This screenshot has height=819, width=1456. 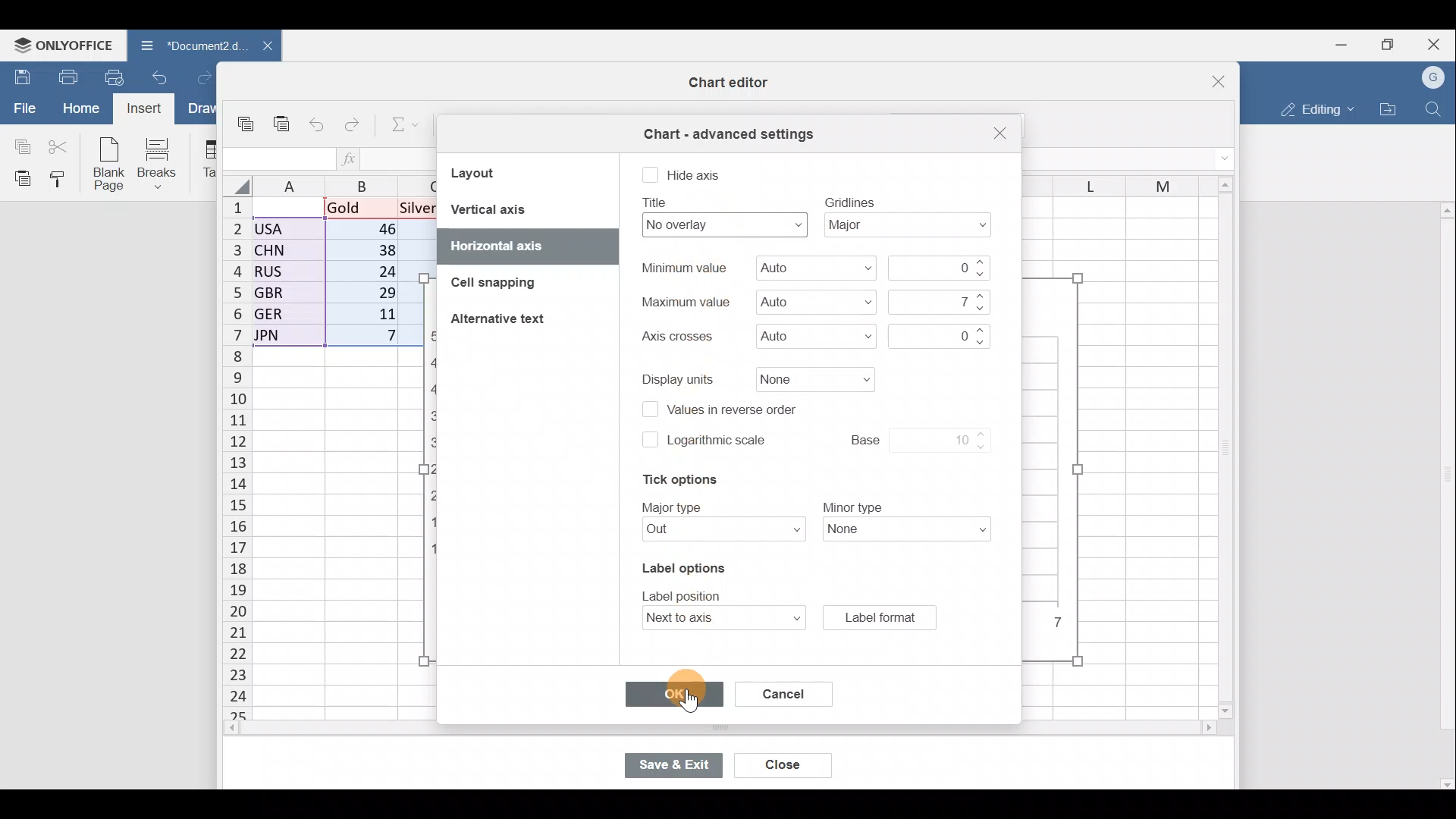 I want to click on Alternative text, so click(x=506, y=321).